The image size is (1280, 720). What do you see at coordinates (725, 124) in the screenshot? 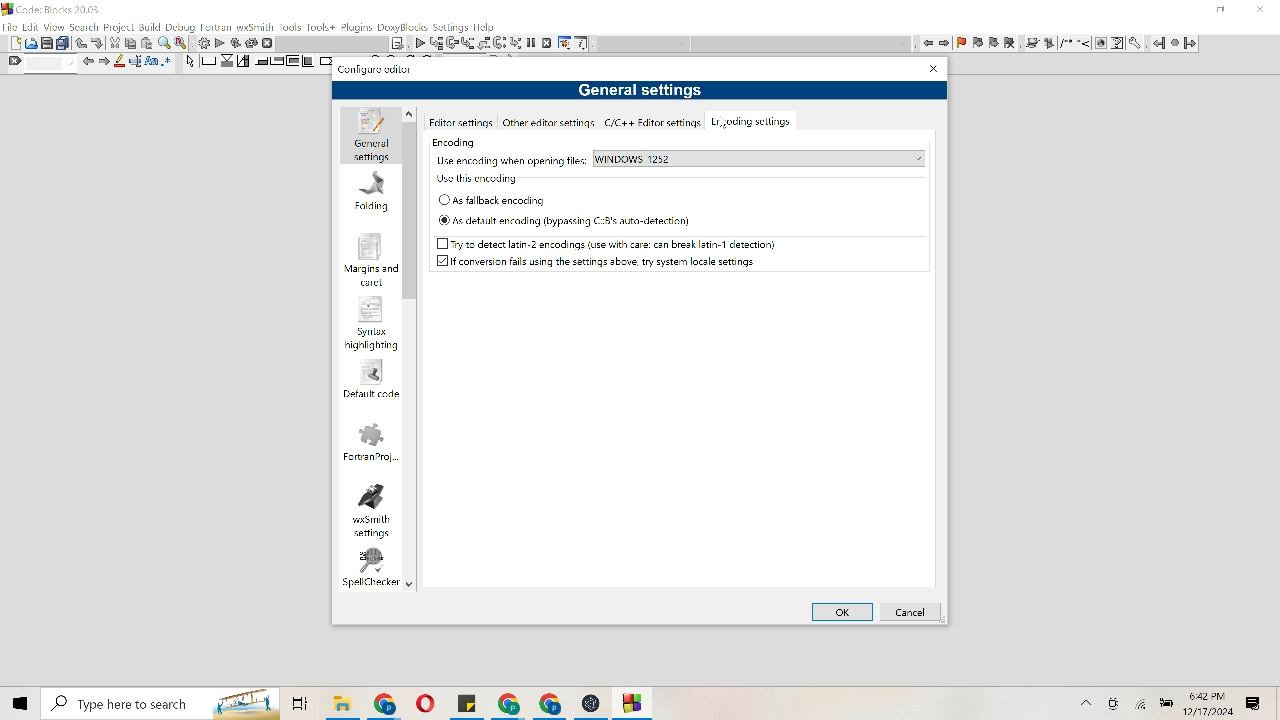
I see `Cursor` at bounding box center [725, 124].